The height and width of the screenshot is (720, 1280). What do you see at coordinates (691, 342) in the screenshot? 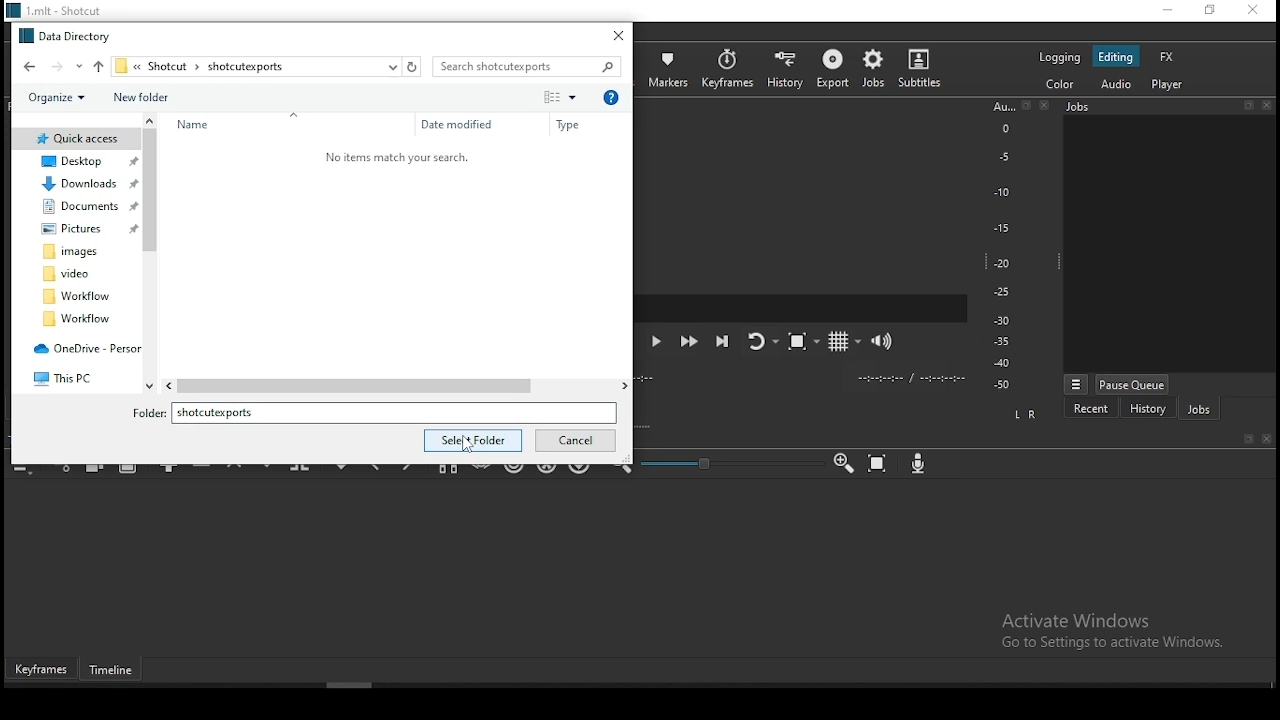
I see `play quickly forwards` at bounding box center [691, 342].